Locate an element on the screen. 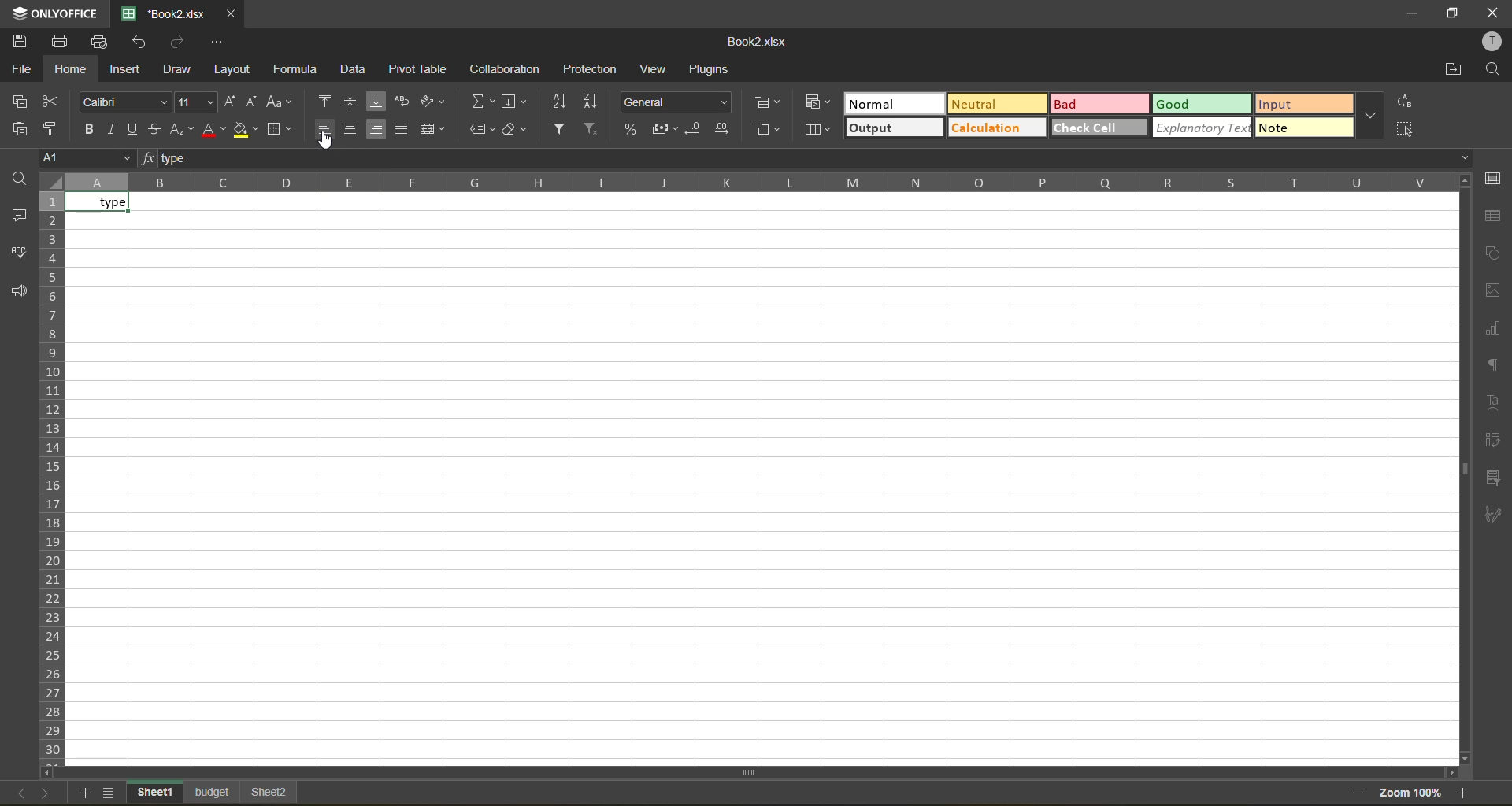 The image size is (1512, 806). undo is located at coordinates (141, 42).